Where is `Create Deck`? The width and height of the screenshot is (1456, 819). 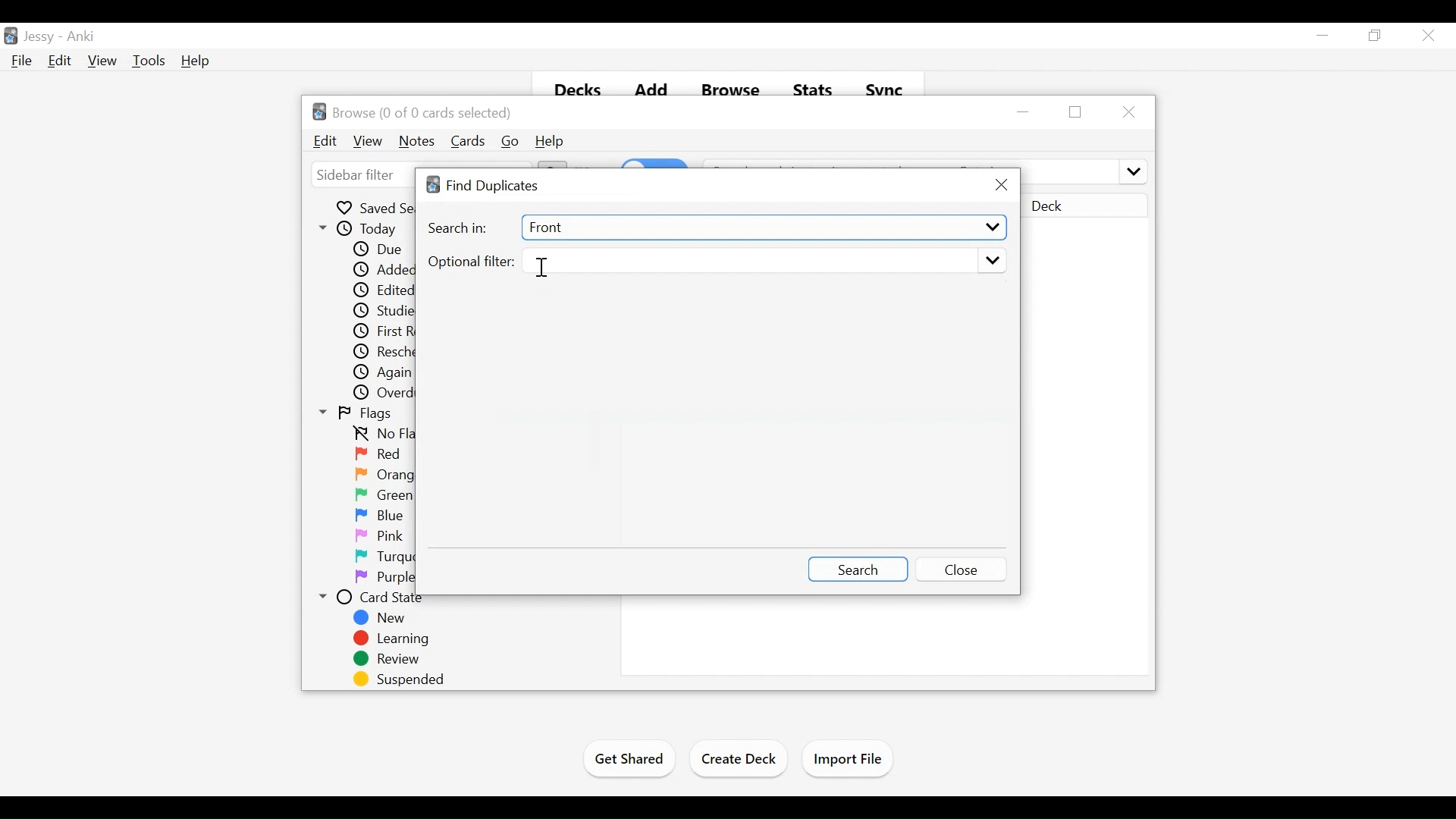 Create Deck is located at coordinates (739, 761).